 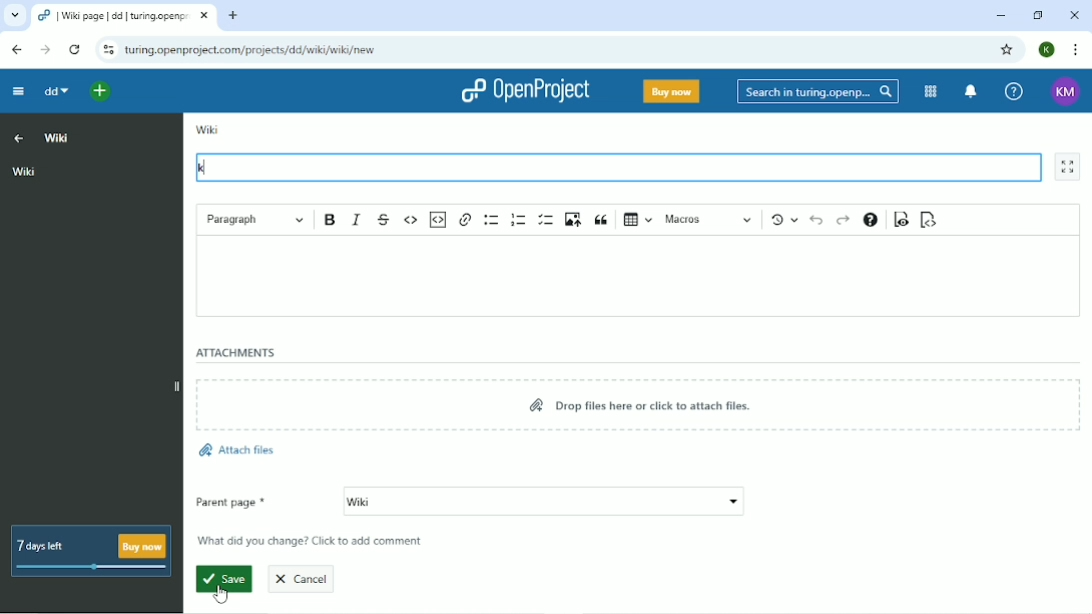 What do you see at coordinates (235, 351) in the screenshot?
I see `Attachments` at bounding box center [235, 351].